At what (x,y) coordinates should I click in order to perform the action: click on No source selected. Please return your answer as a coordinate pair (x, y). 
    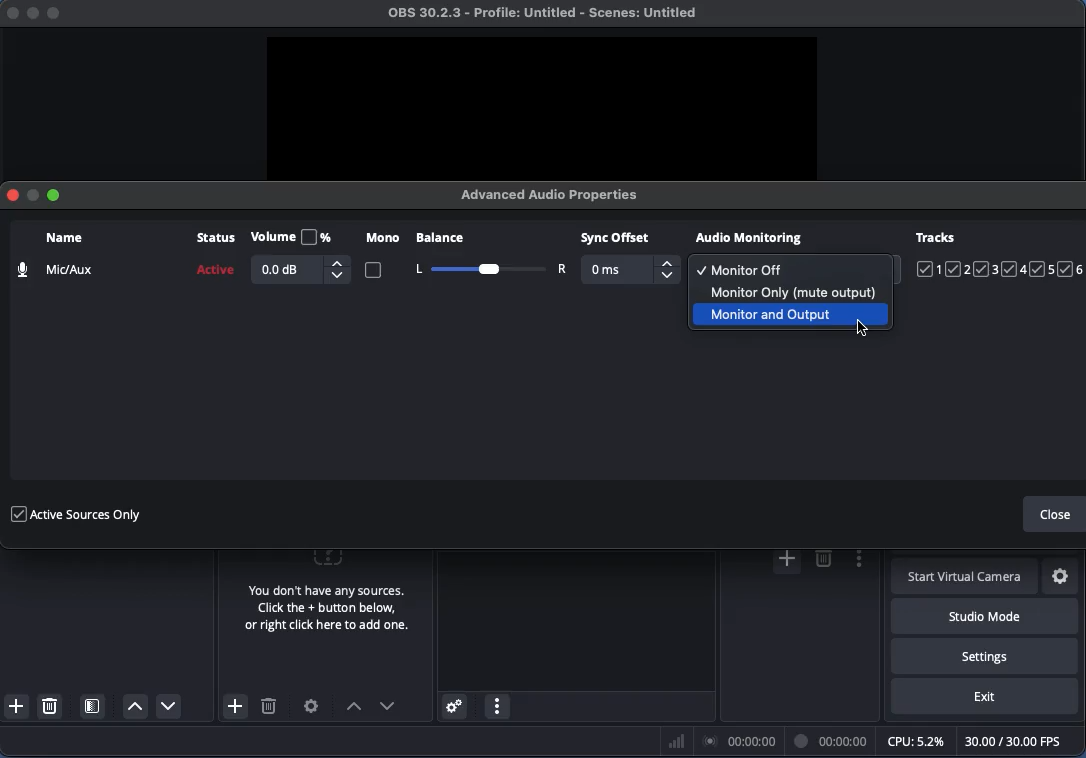
    Looking at the image, I should click on (323, 595).